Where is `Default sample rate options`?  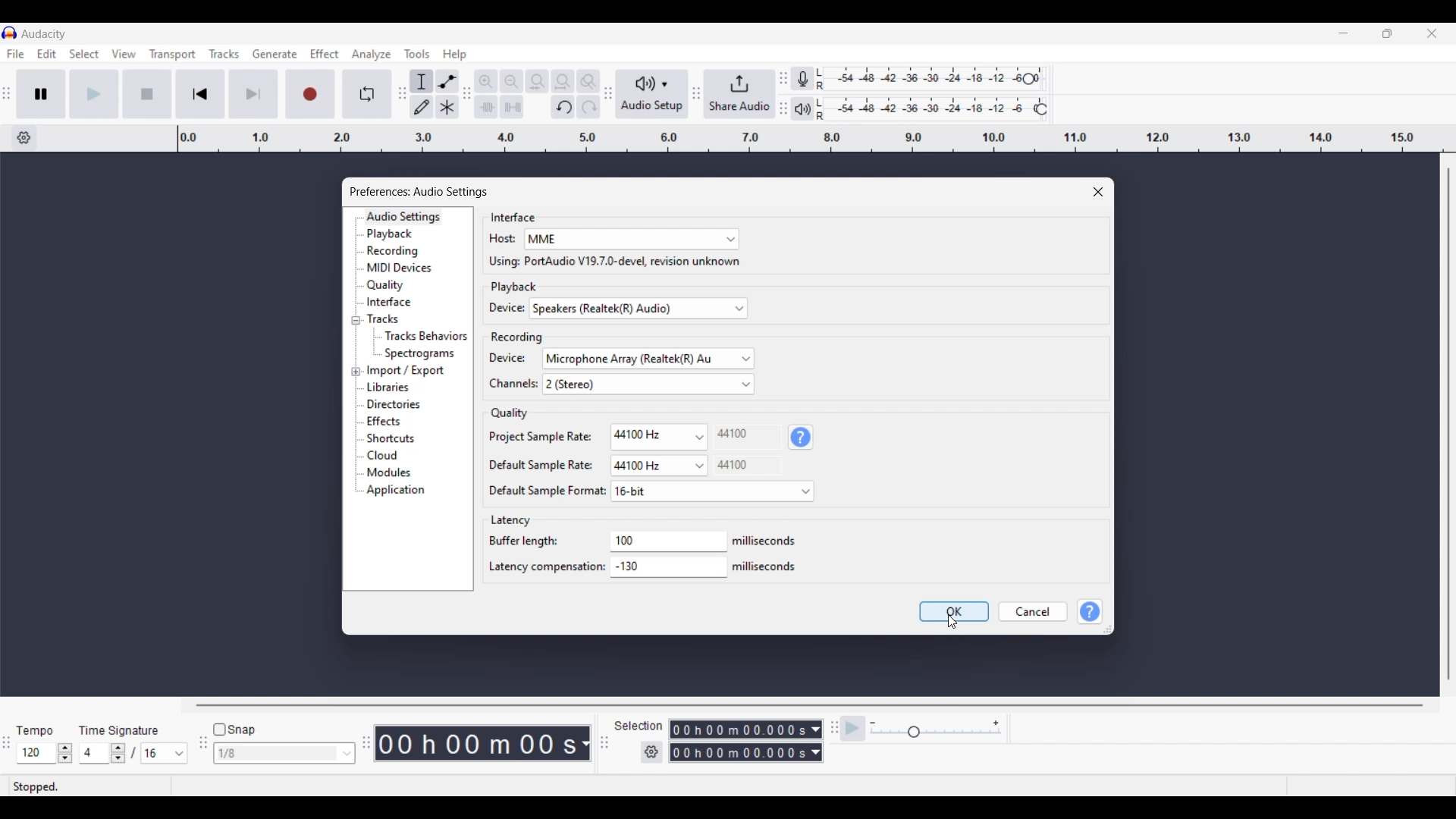
Default sample rate options is located at coordinates (658, 466).